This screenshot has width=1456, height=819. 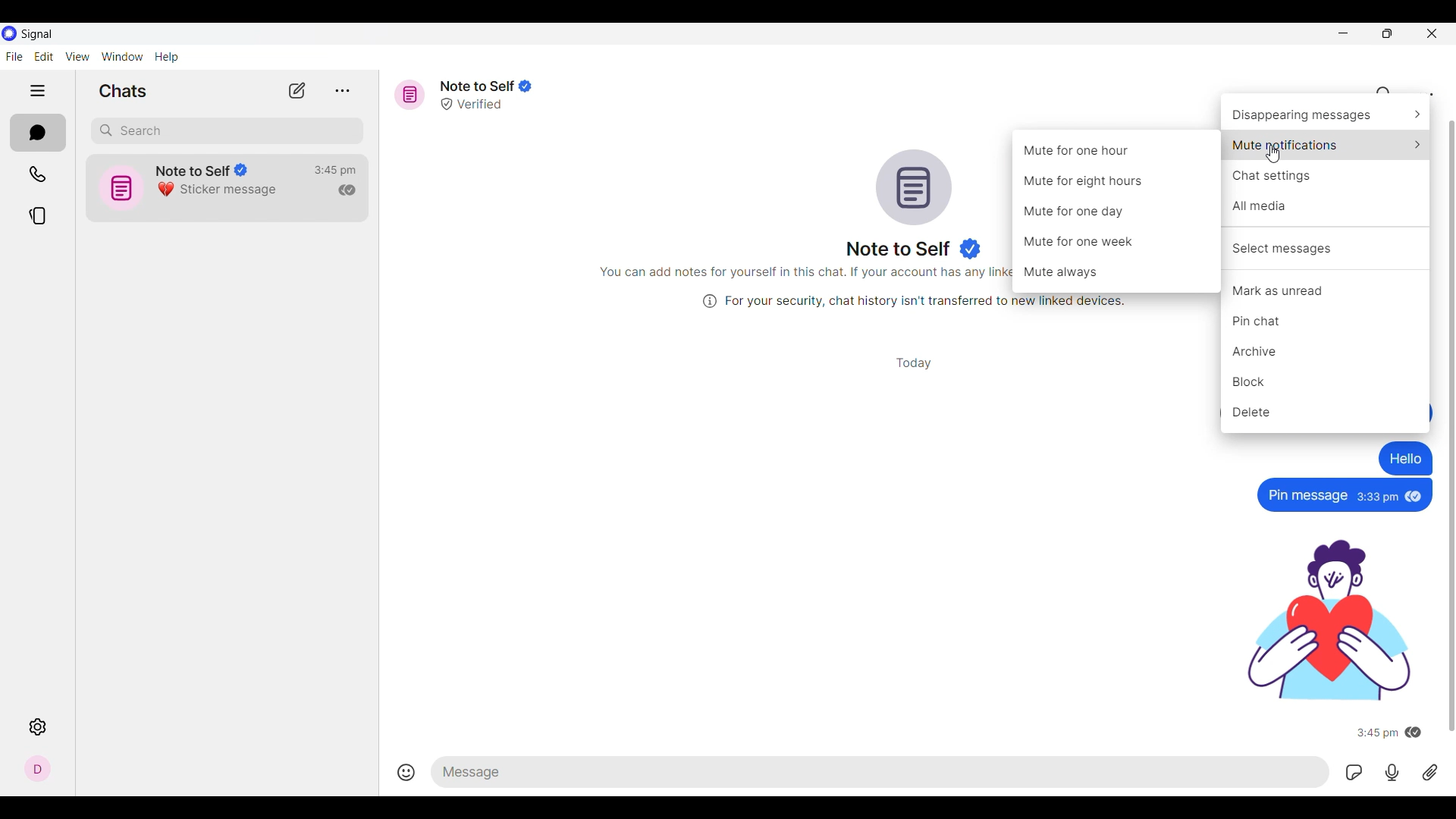 What do you see at coordinates (1325, 320) in the screenshot?
I see `Pin chat` at bounding box center [1325, 320].